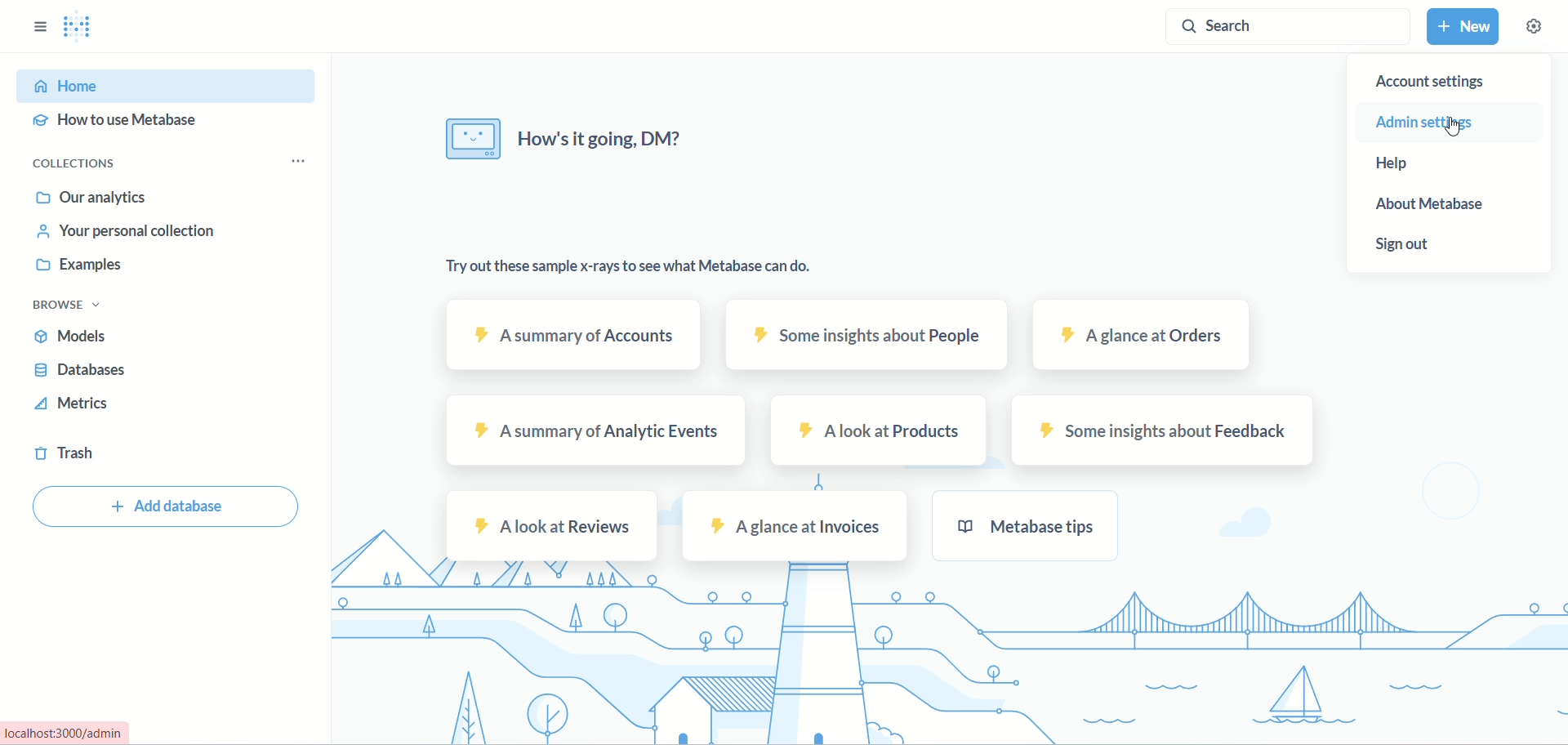  What do you see at coordinates (553, 527) in the screenshot?
I see `reviews` at bounding box center [553, 527].